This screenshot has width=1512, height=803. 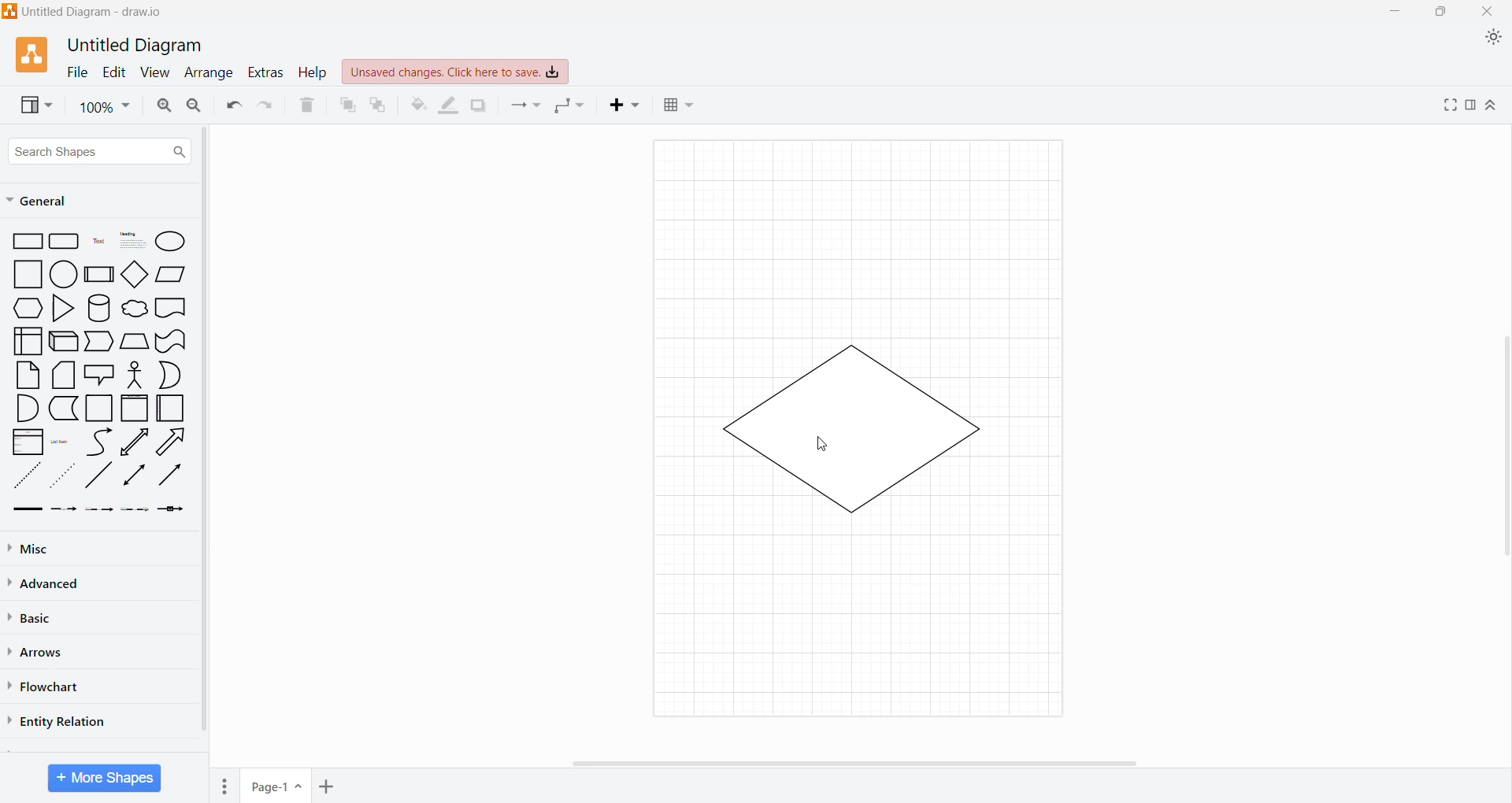 I want to click on Square, so click(x=28, y=274).